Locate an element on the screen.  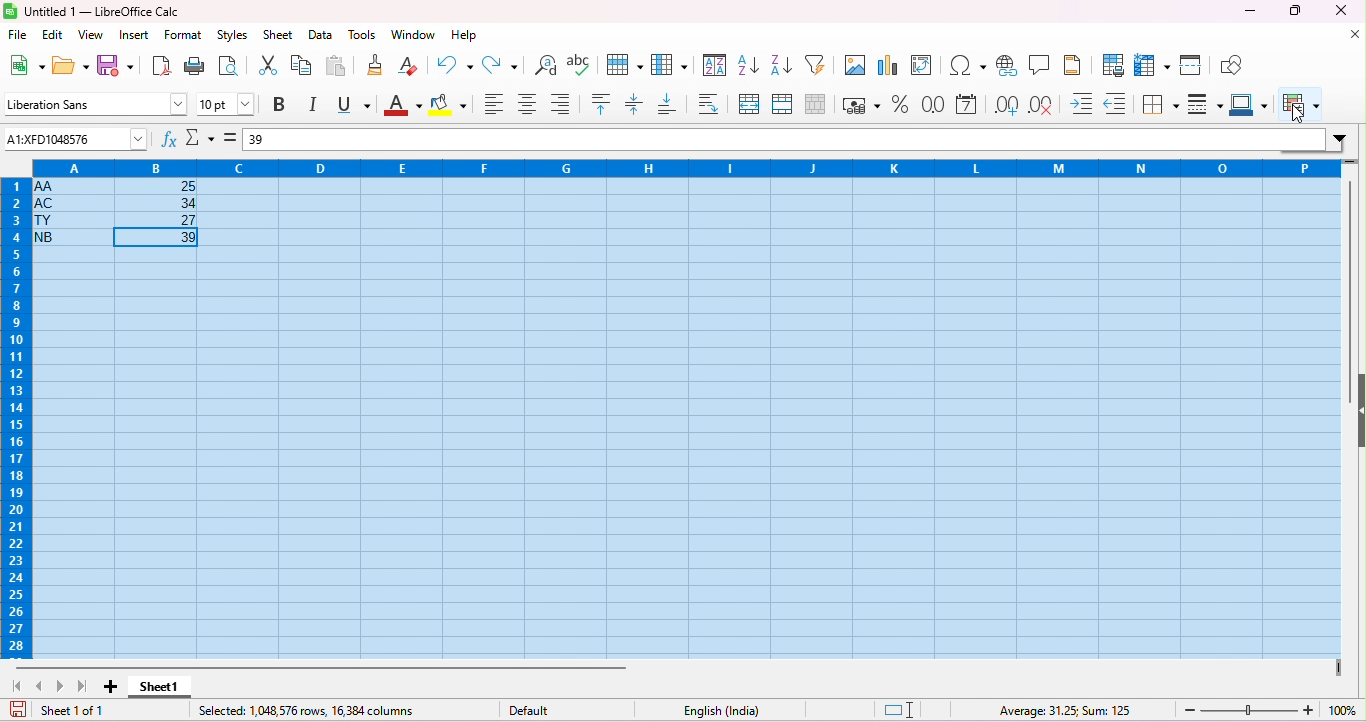
function wizard is located at coordinates (170, 140).